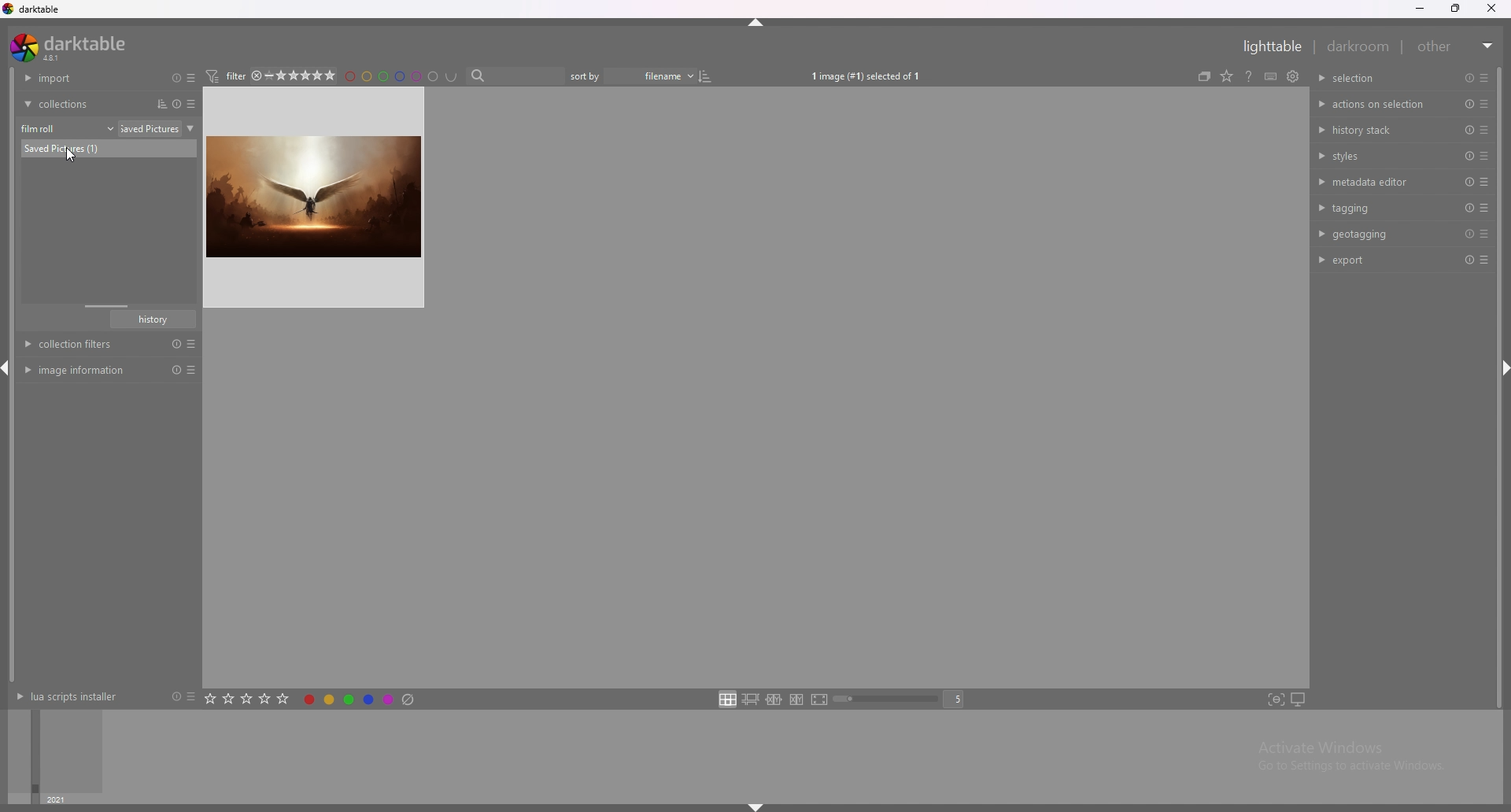  I want to click on toggle color label, so click(360, 698).